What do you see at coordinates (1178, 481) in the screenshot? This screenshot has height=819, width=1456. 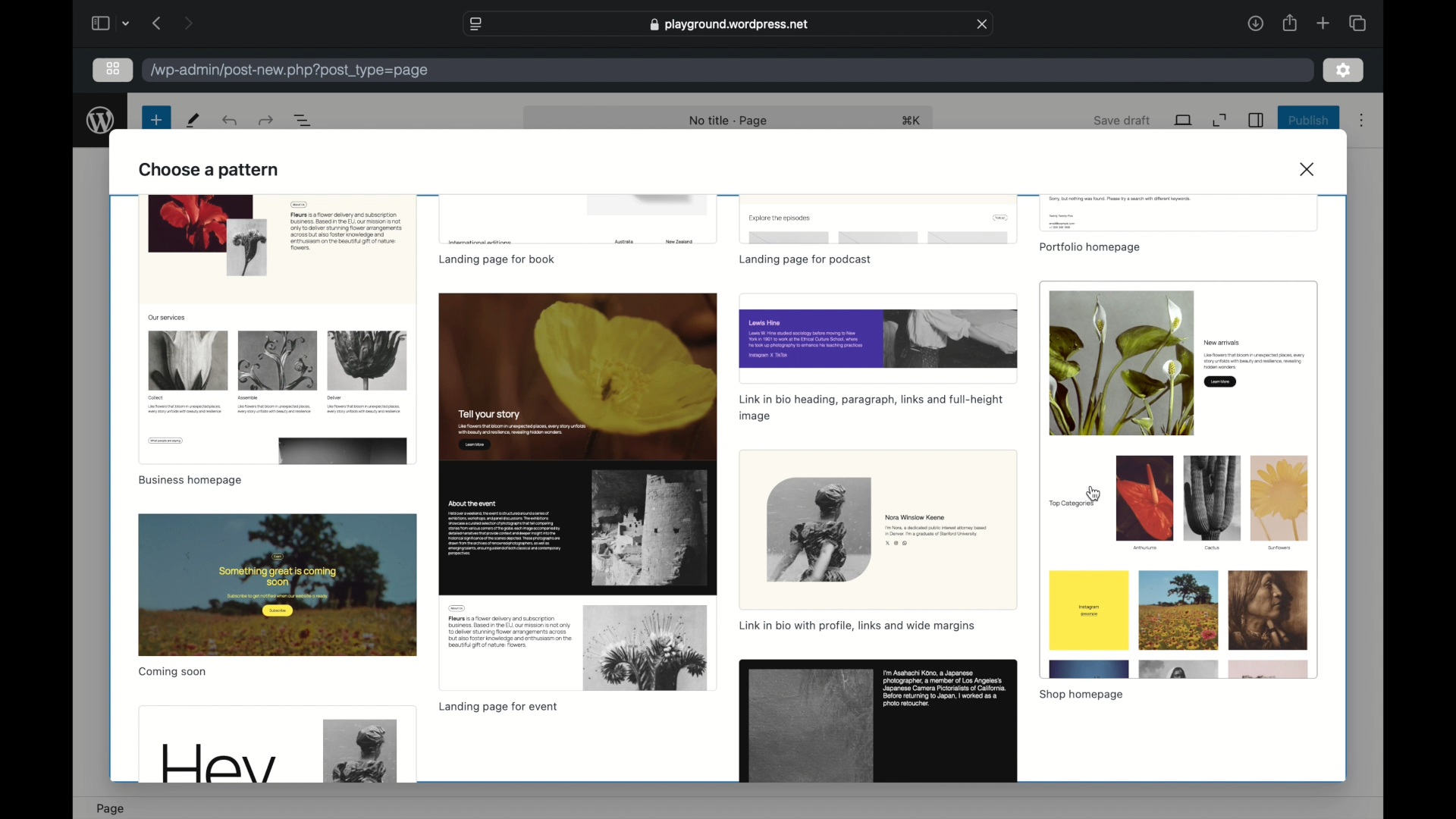 I see `preview` at bounding box center [1178, 481].